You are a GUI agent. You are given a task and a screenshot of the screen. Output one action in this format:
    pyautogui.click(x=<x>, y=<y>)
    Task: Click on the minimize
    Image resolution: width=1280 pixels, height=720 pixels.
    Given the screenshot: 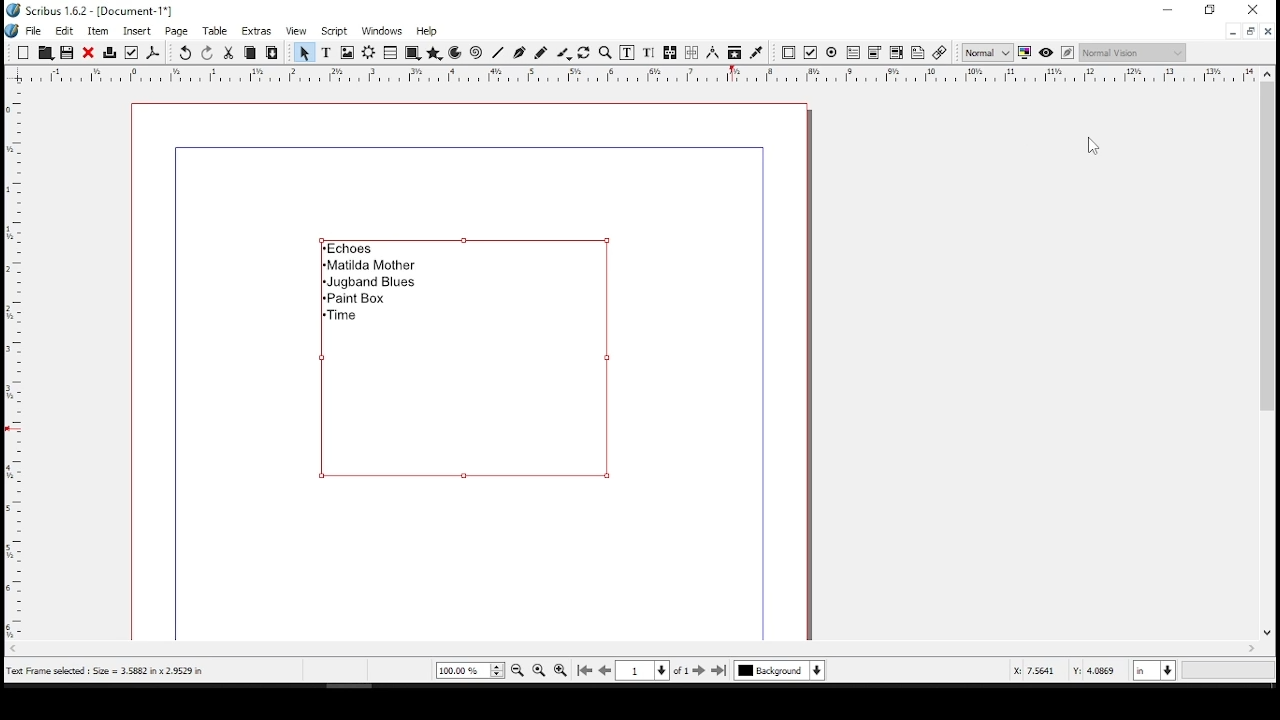 What is the action you would take?
    pyautogui.click(x=1169, y=10)
    